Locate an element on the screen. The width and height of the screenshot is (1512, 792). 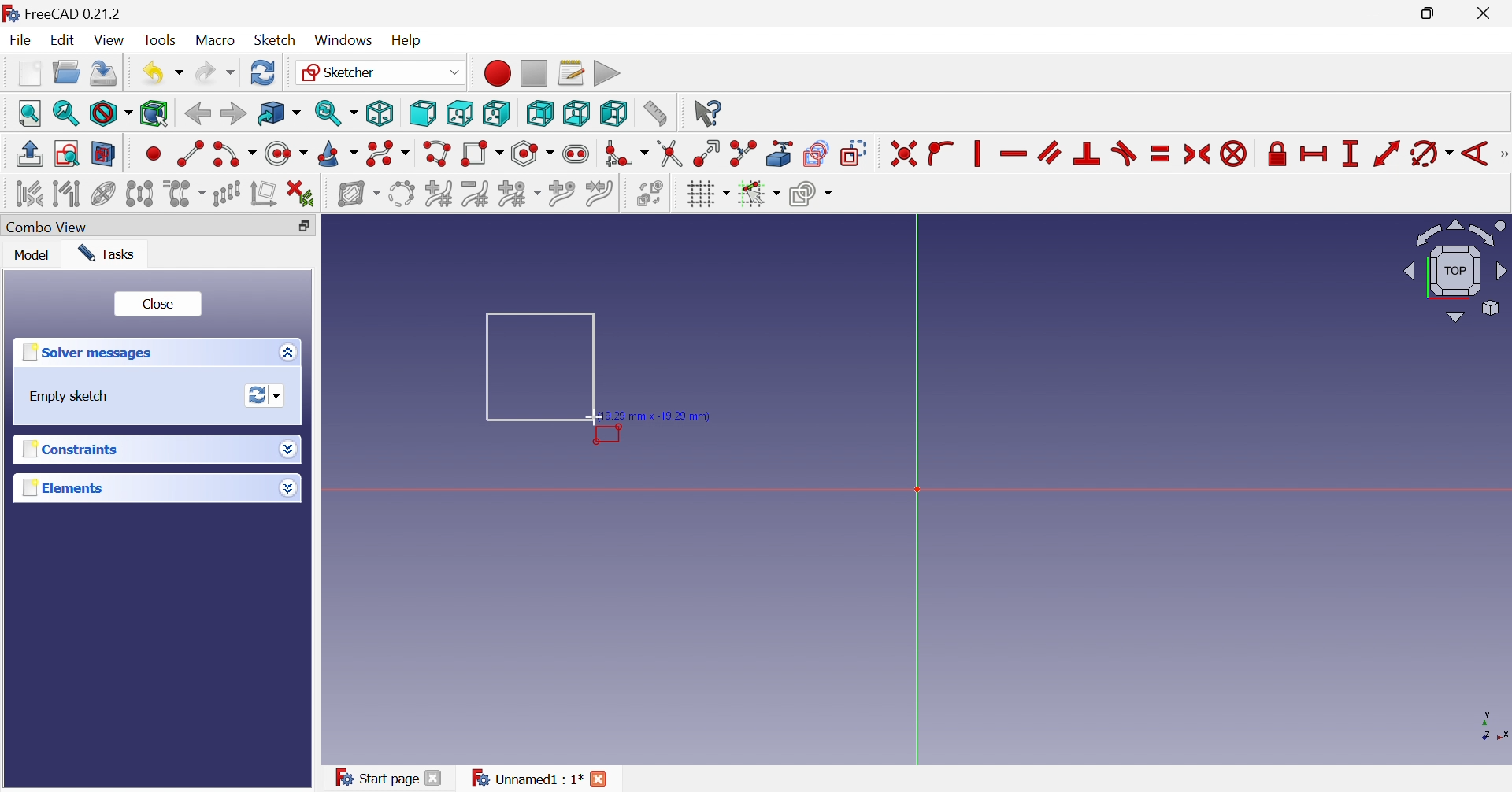
Create B-spline is located at coordinates (388, 154).